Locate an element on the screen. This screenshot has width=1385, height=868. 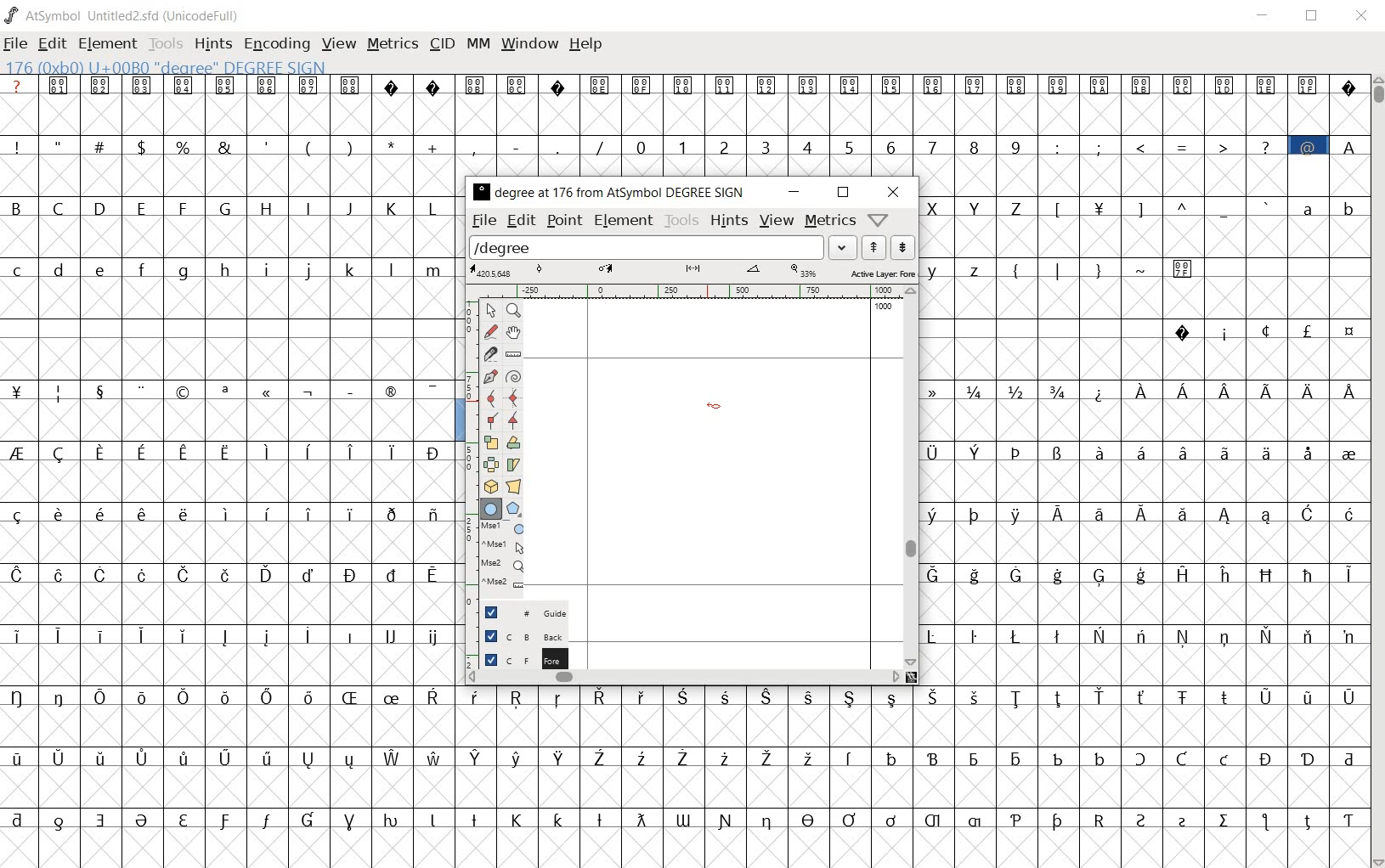
polygon or star is located at coordinates (515, 508).